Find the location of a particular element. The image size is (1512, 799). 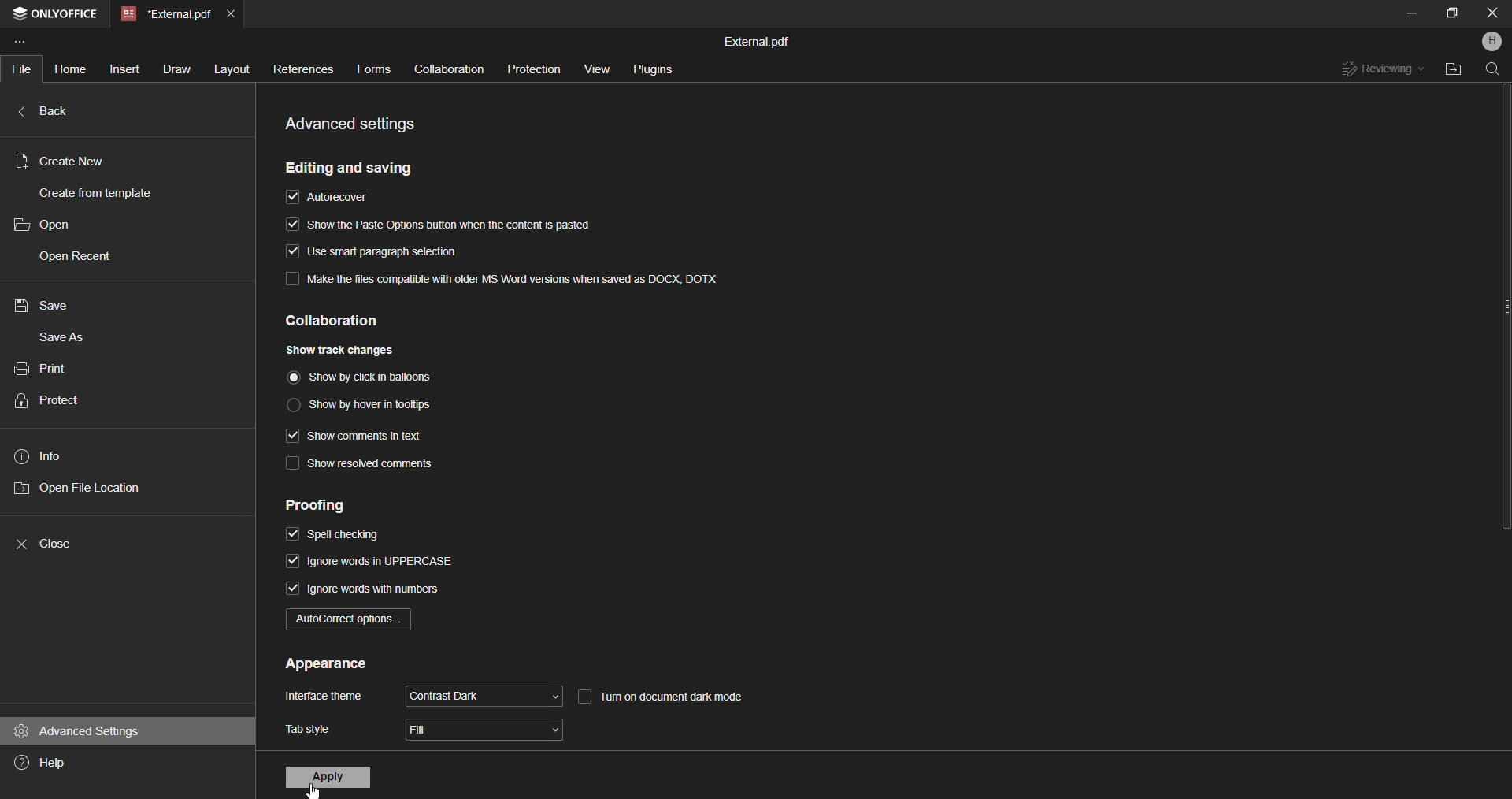

proofing is located at coordinates (332, 505).